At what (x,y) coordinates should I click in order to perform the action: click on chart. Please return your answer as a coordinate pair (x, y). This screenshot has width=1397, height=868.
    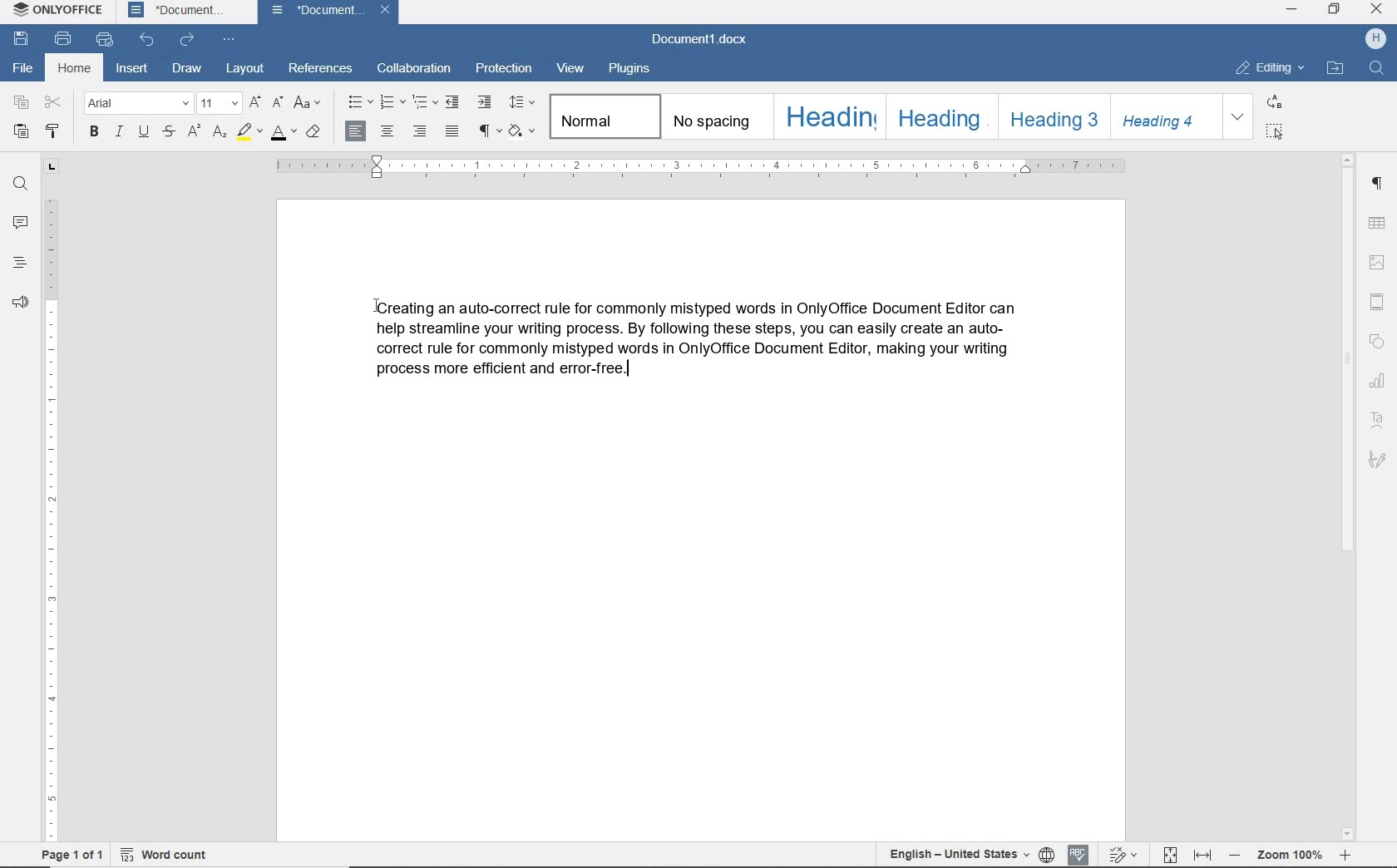
    Looking at the image, I should click on (1379, 382).